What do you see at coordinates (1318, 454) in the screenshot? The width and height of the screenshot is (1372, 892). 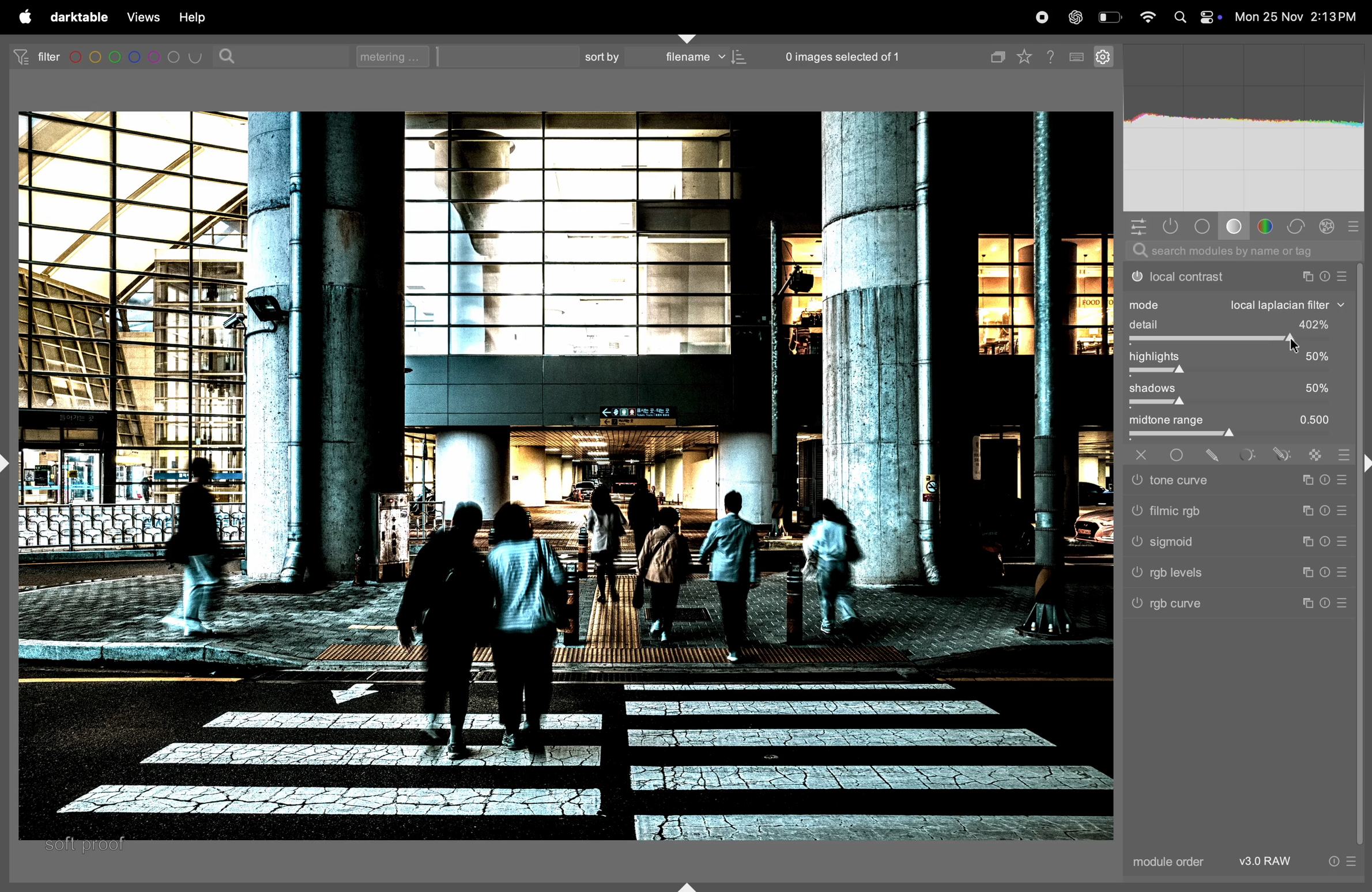 I see `raster mask` at bounding box center [1318, 454].